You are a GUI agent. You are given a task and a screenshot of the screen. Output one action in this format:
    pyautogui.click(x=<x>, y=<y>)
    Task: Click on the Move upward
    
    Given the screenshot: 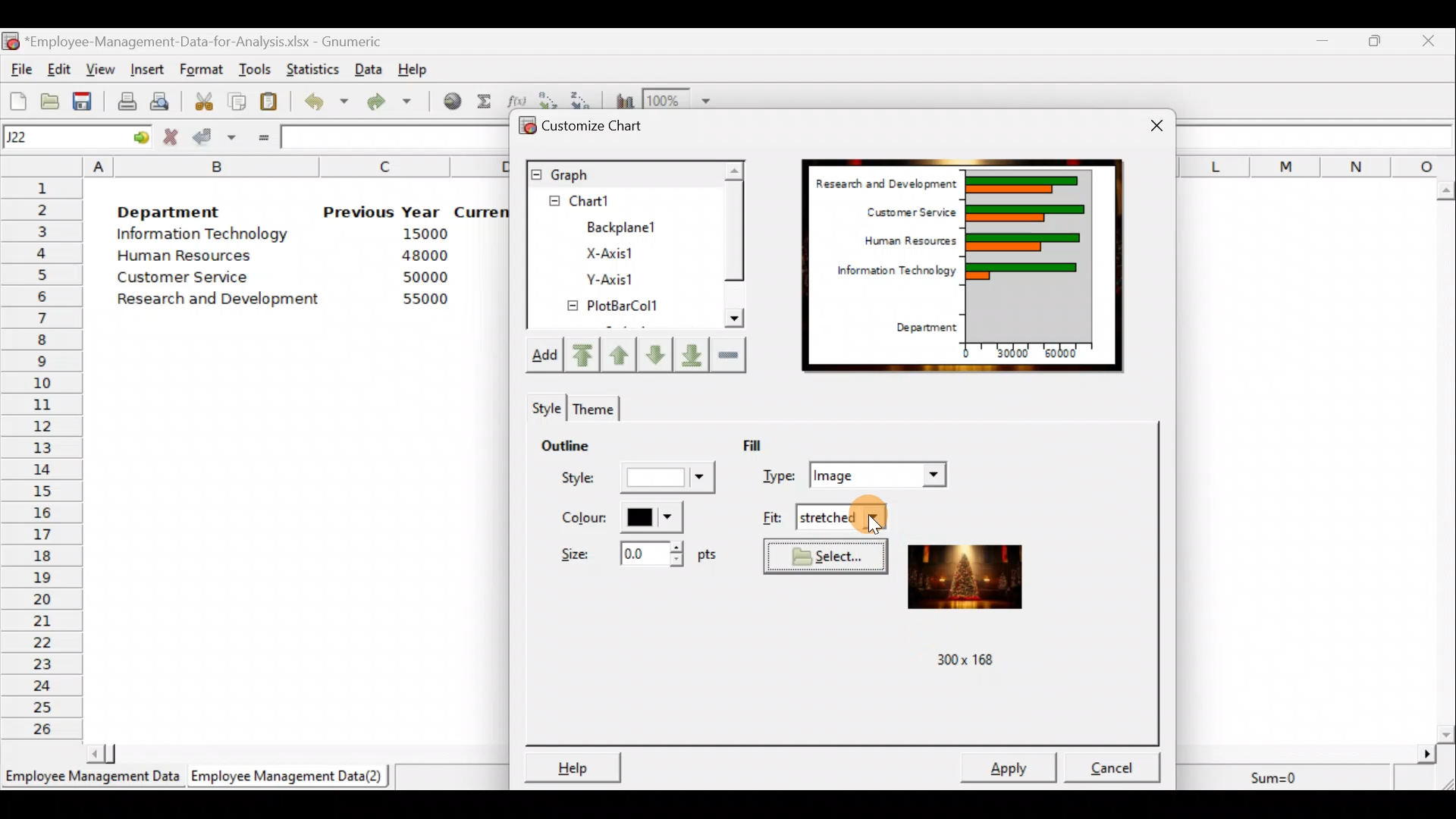 What is the action you would take?
    pyautogui.click(x=587, y=354)
    